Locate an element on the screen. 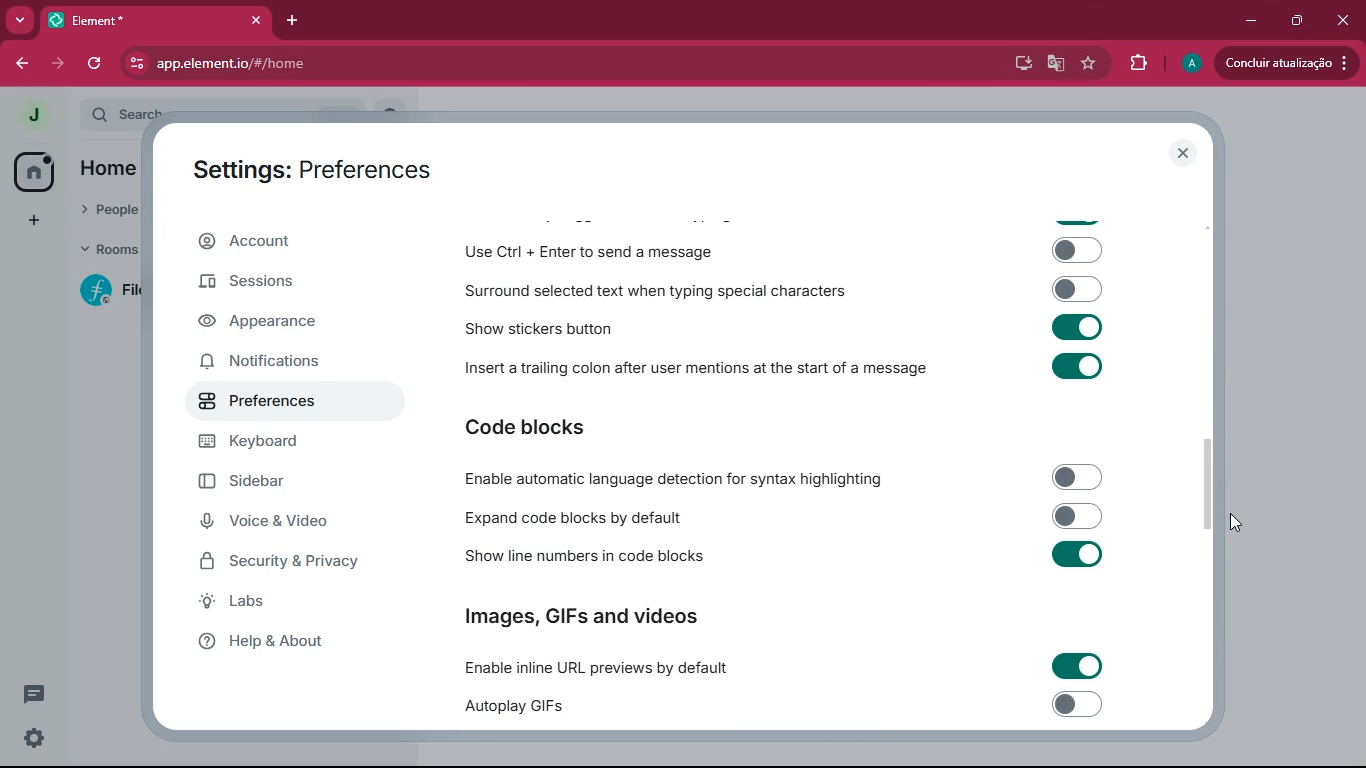 Image resolution: width=1366 pixels, height=768 pixels. security & Privacy is located at coordinates (289, 562).